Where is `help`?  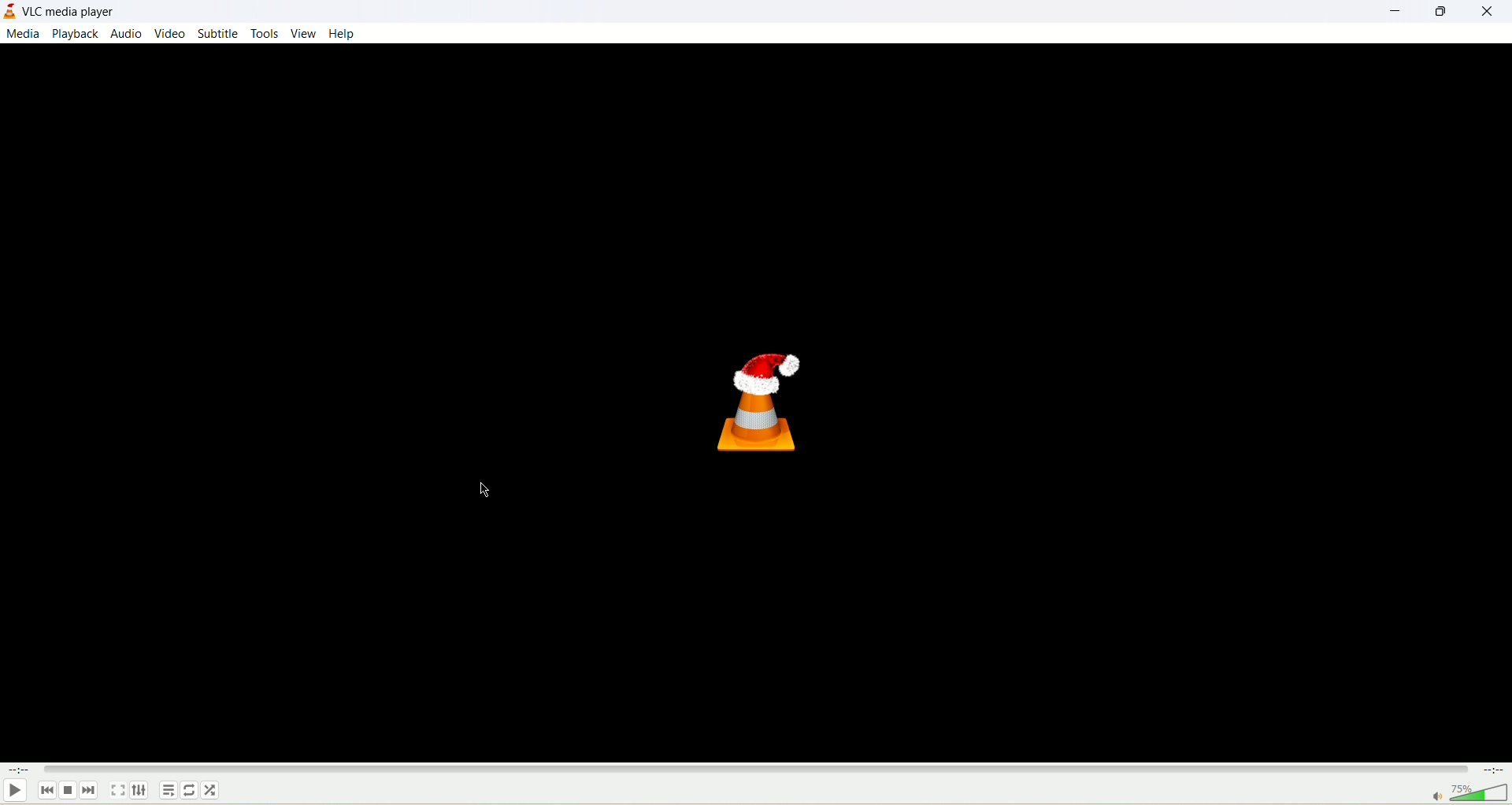
help is located at coordinates (340, 32).